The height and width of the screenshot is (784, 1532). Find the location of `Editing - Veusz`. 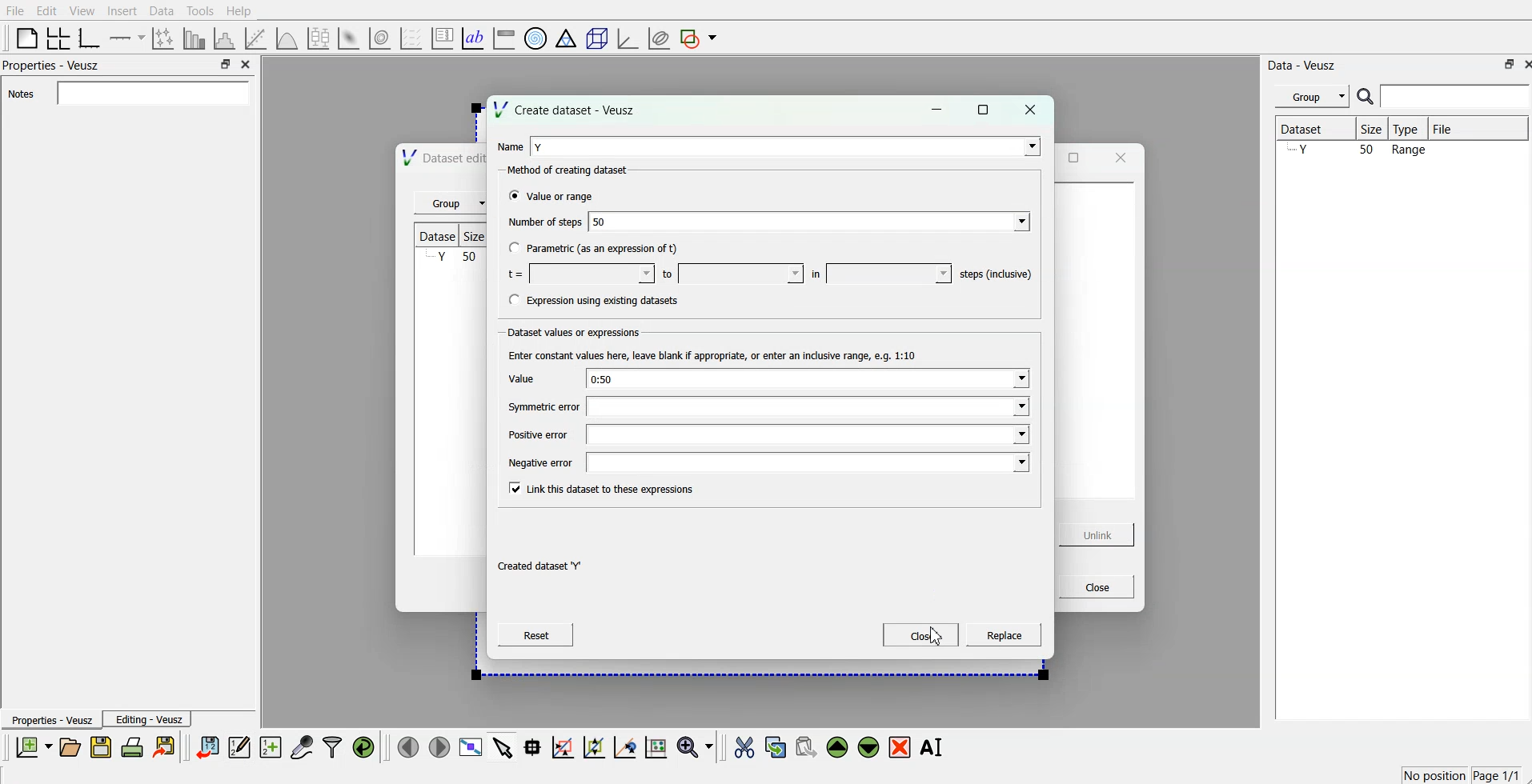

Editing - Veusz is located at coordinates (150, 719).